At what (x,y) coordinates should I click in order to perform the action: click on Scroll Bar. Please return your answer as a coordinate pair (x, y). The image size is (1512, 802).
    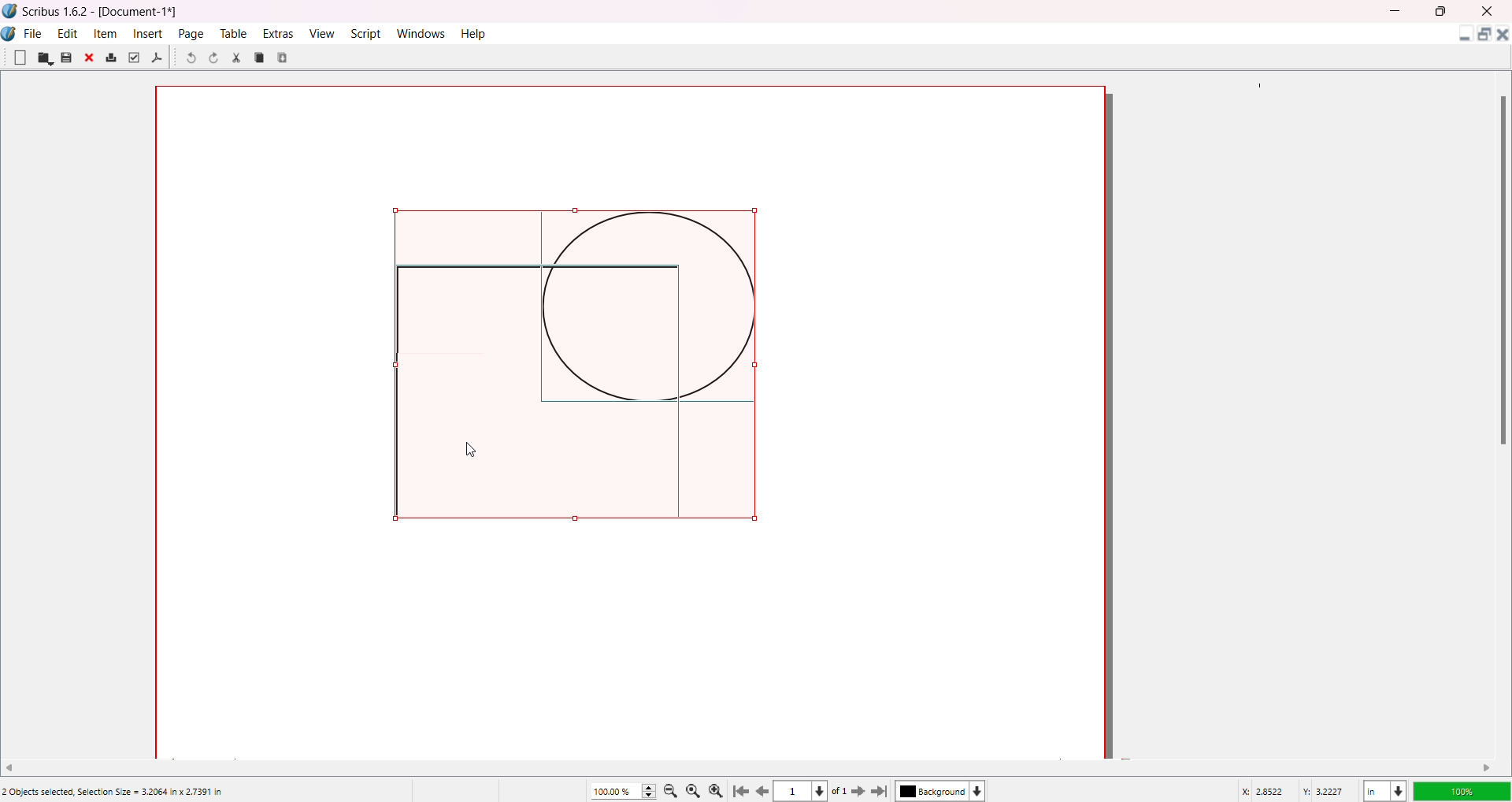
    Looking at the image, I should click on (1499, 269).